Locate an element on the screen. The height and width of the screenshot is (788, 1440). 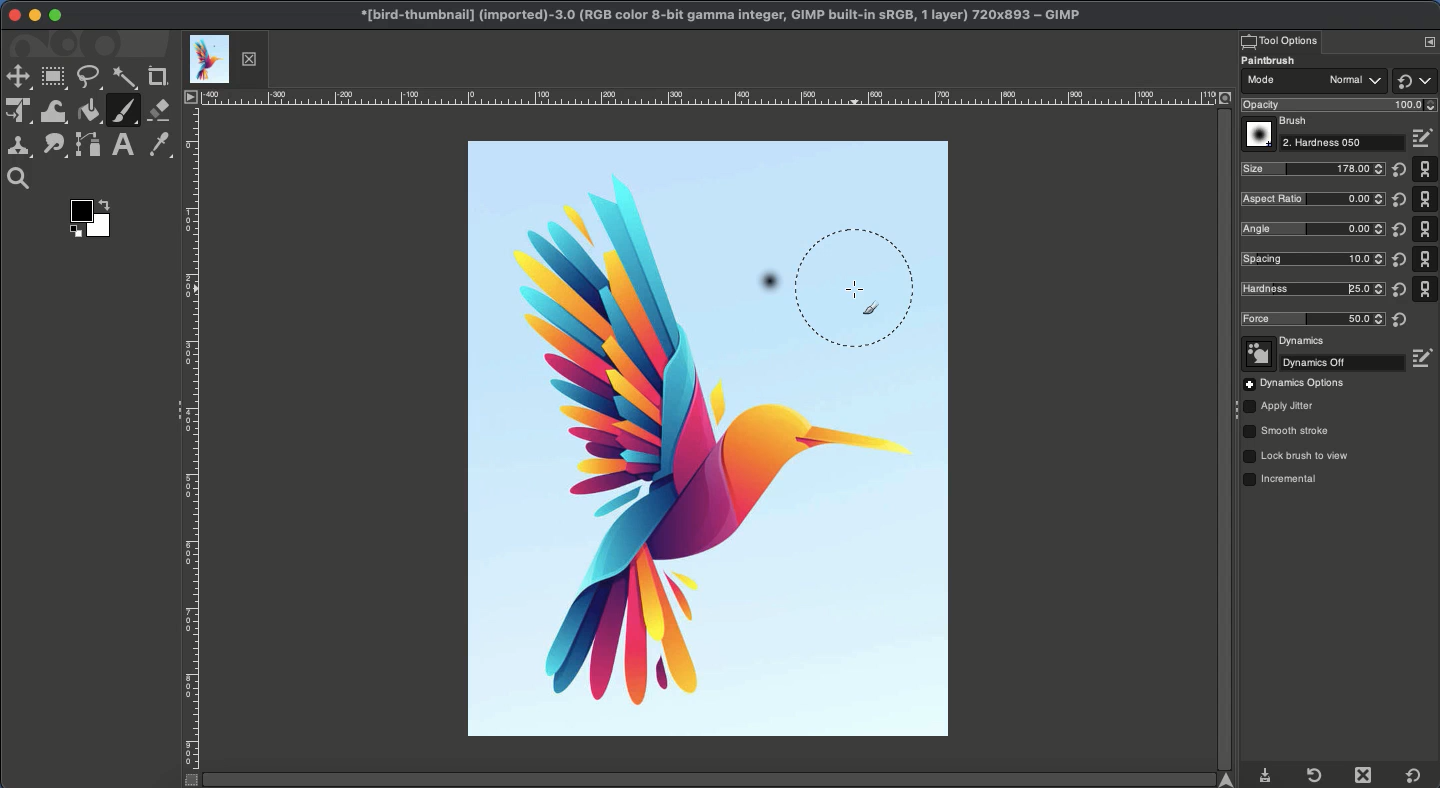
Spacing is located at coordinates (1310, 258).